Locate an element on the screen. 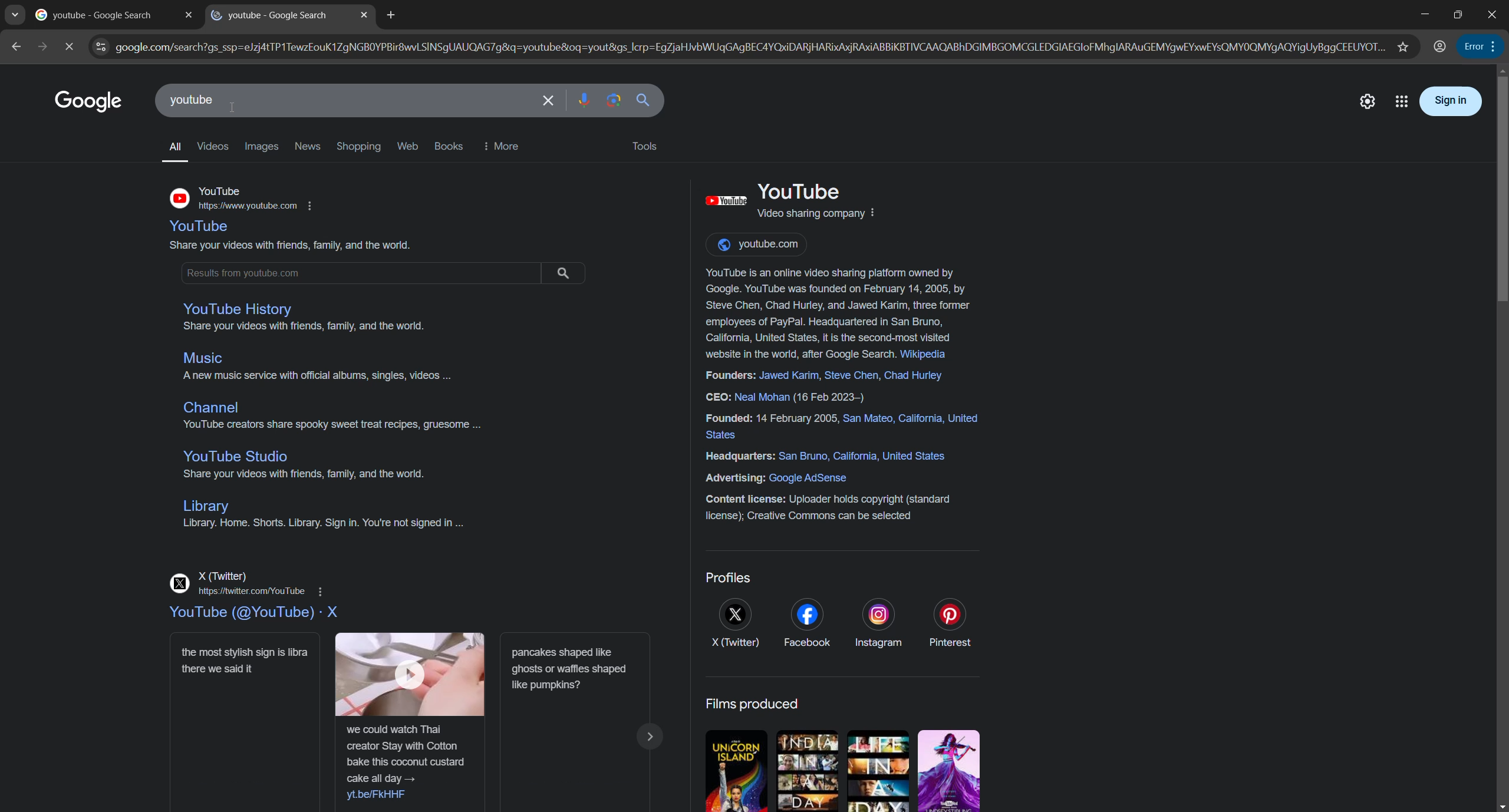  youtube studio is located at coordinates (235, 457).